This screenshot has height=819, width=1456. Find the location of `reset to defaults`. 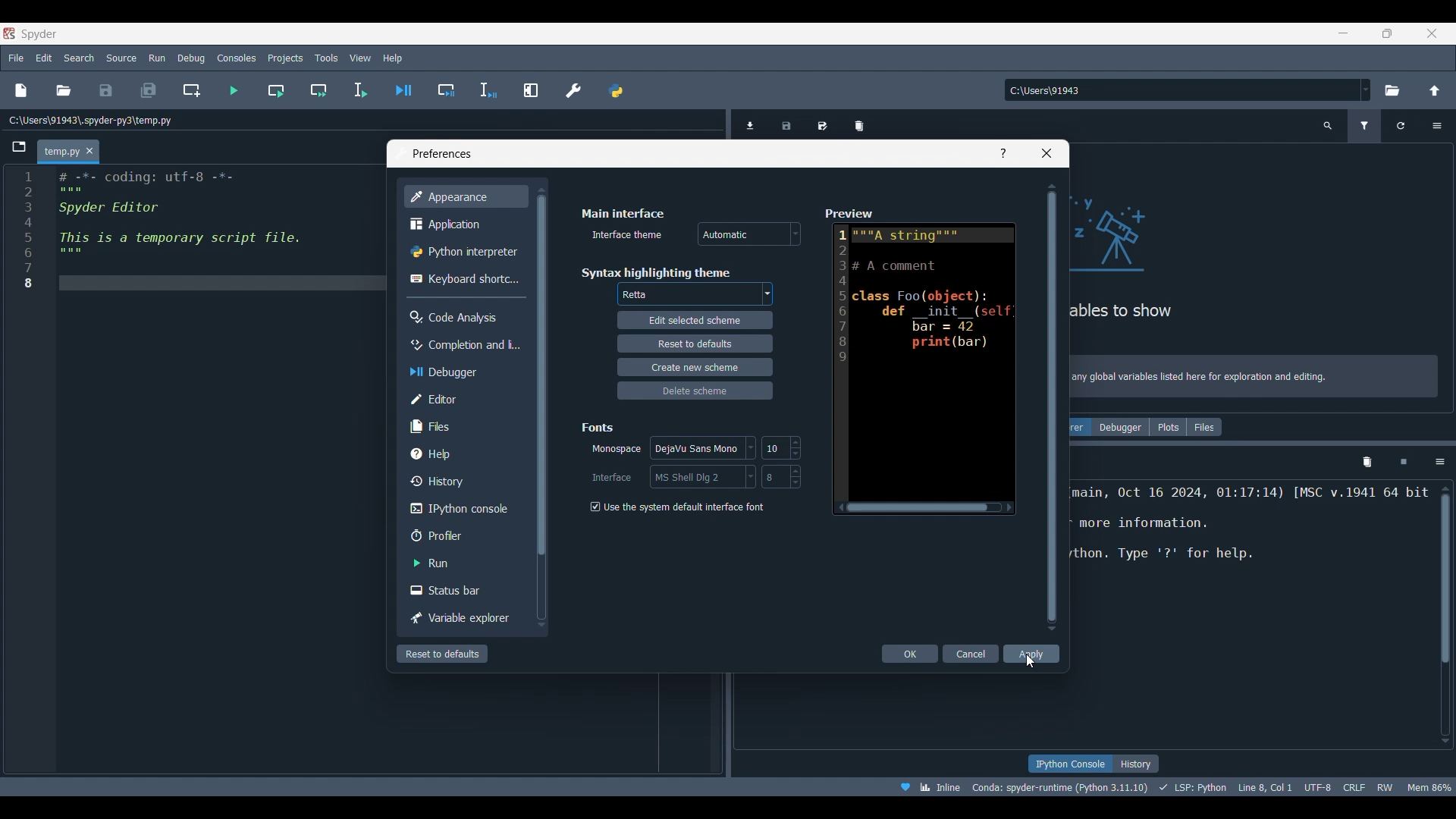

reset to defaults is located at coordinates (694, 343).